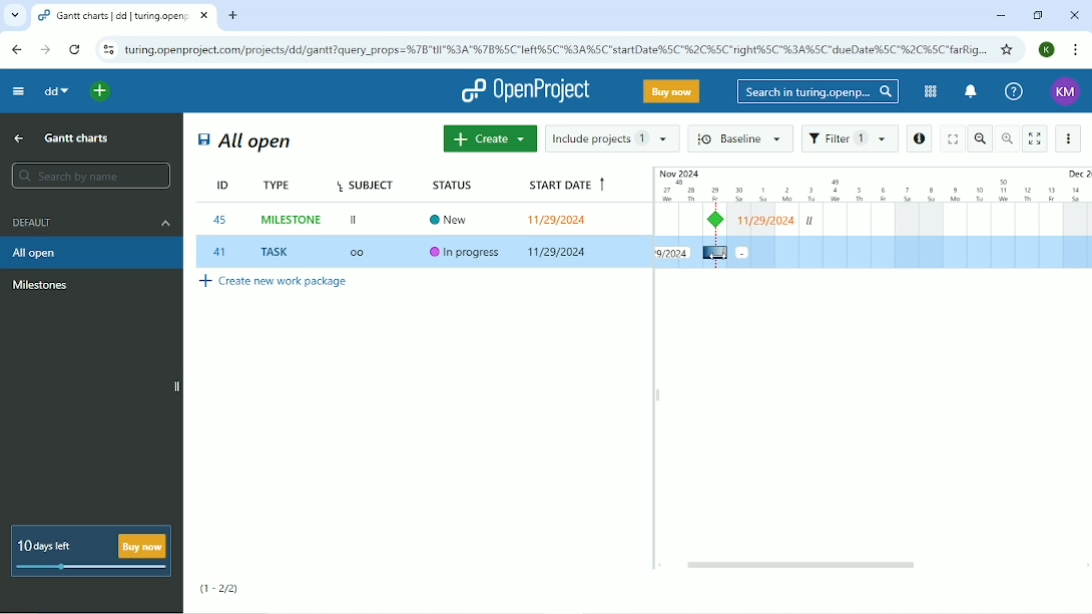 The width and height of the screenshot is (1092, 614). What do you see at coordinates (998, 16) in the screenshot?
I see `Minimize` at bounding box center [998, 16].